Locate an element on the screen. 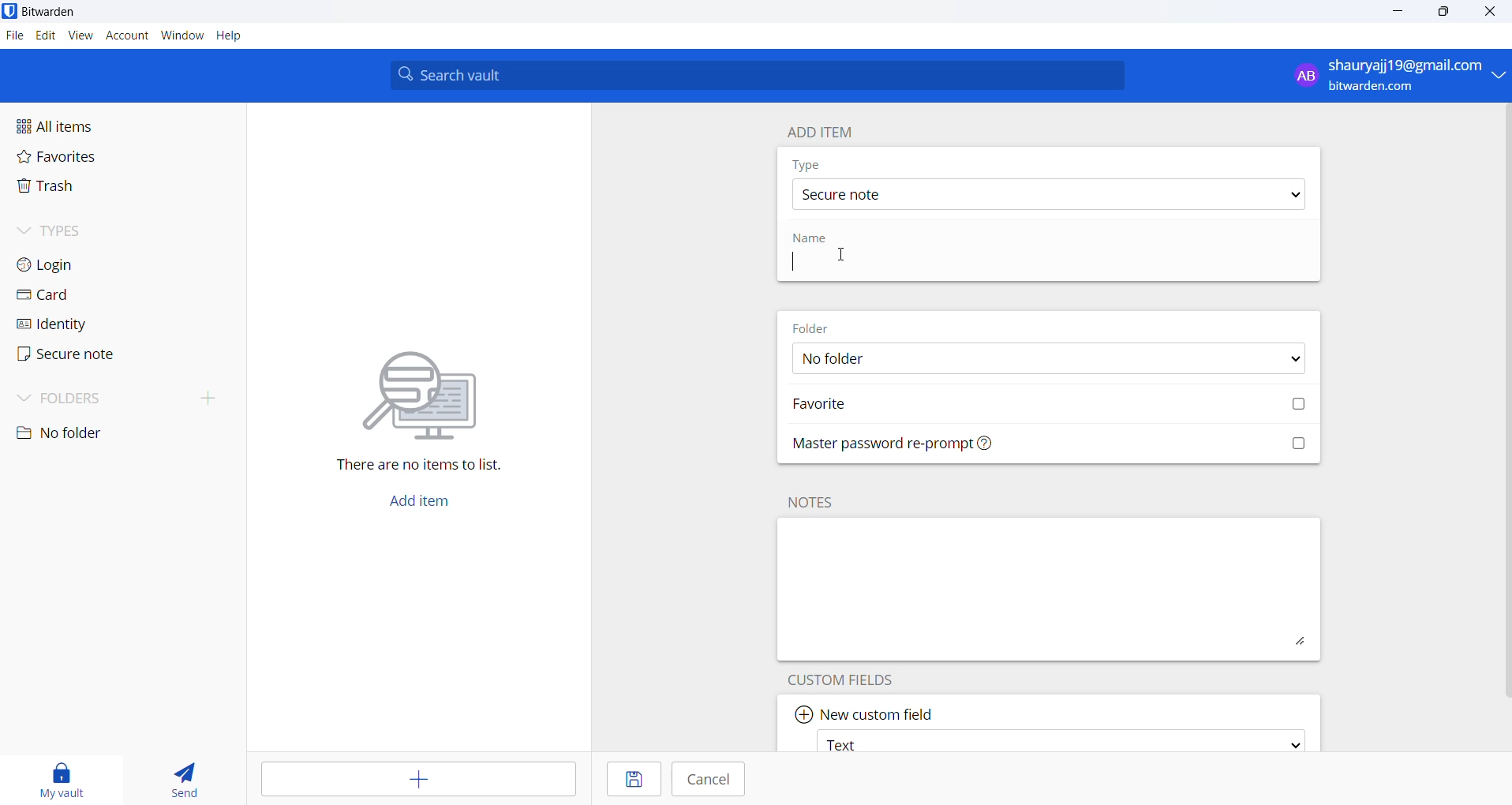 The image size is (1512, 805). my vault is located at coordinates (68, 777).